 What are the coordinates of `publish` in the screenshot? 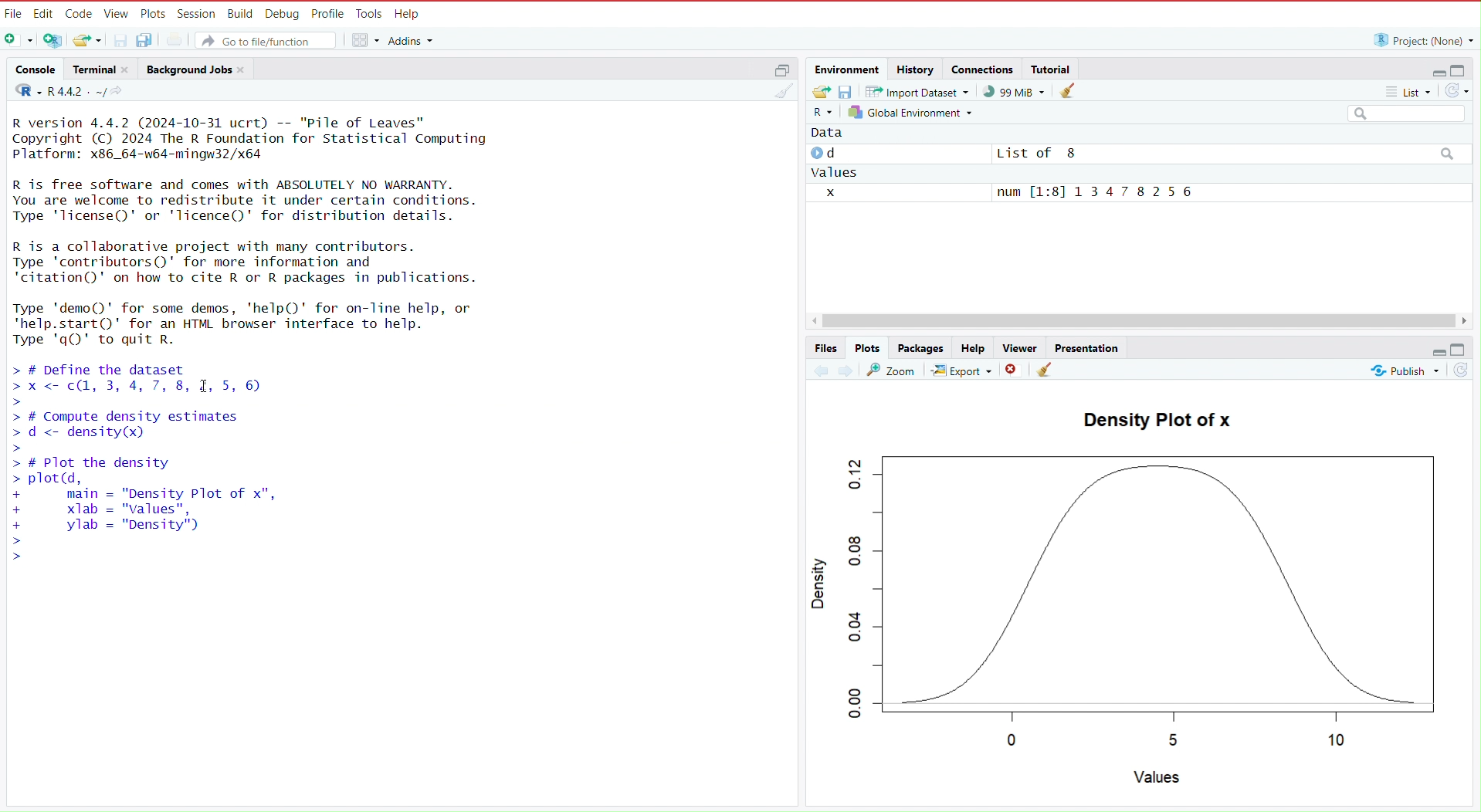 It's located at (1405, 370).